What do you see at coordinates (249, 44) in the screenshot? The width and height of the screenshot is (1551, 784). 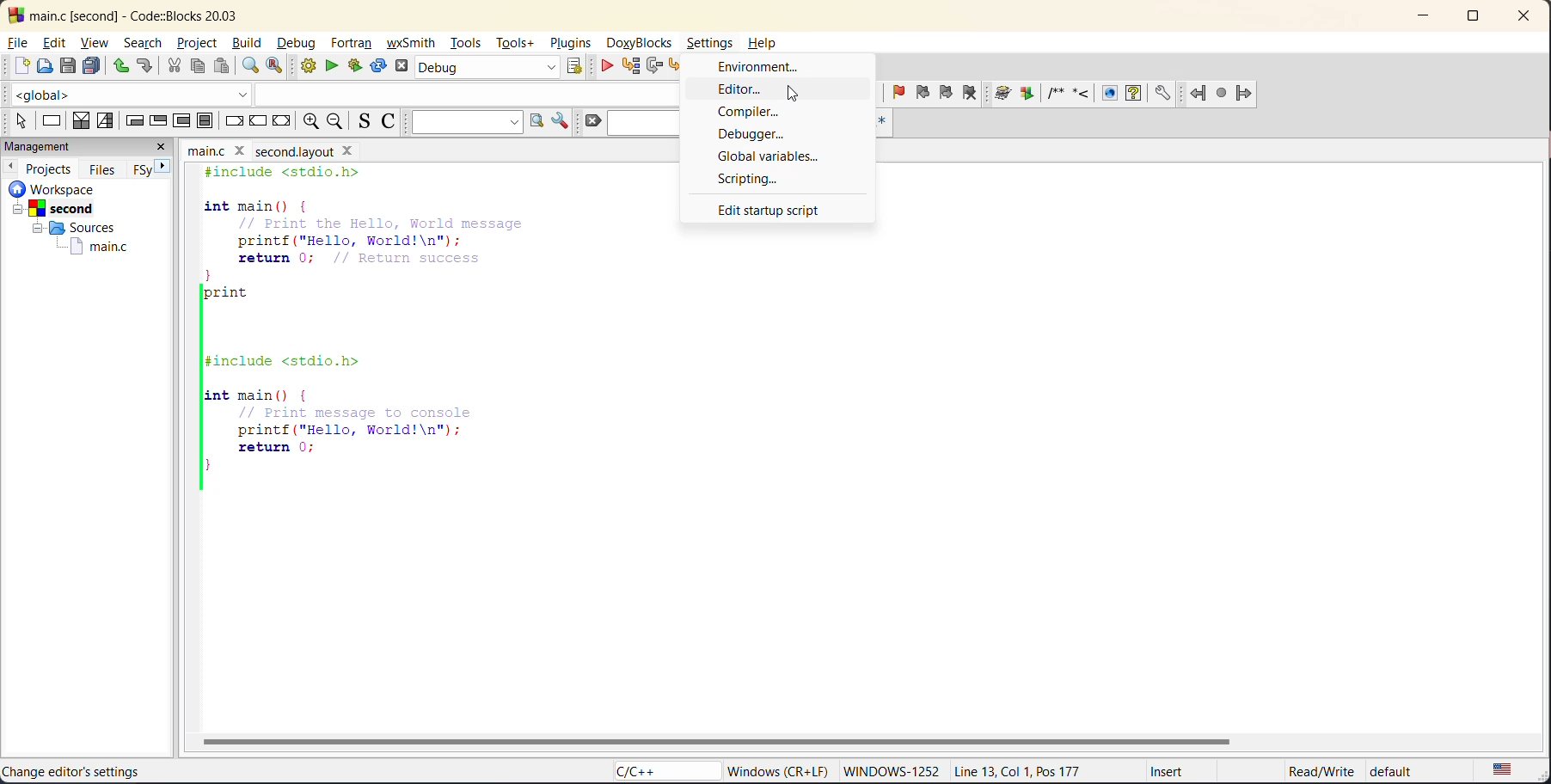 I see `build` at bounding box center [249, 44].